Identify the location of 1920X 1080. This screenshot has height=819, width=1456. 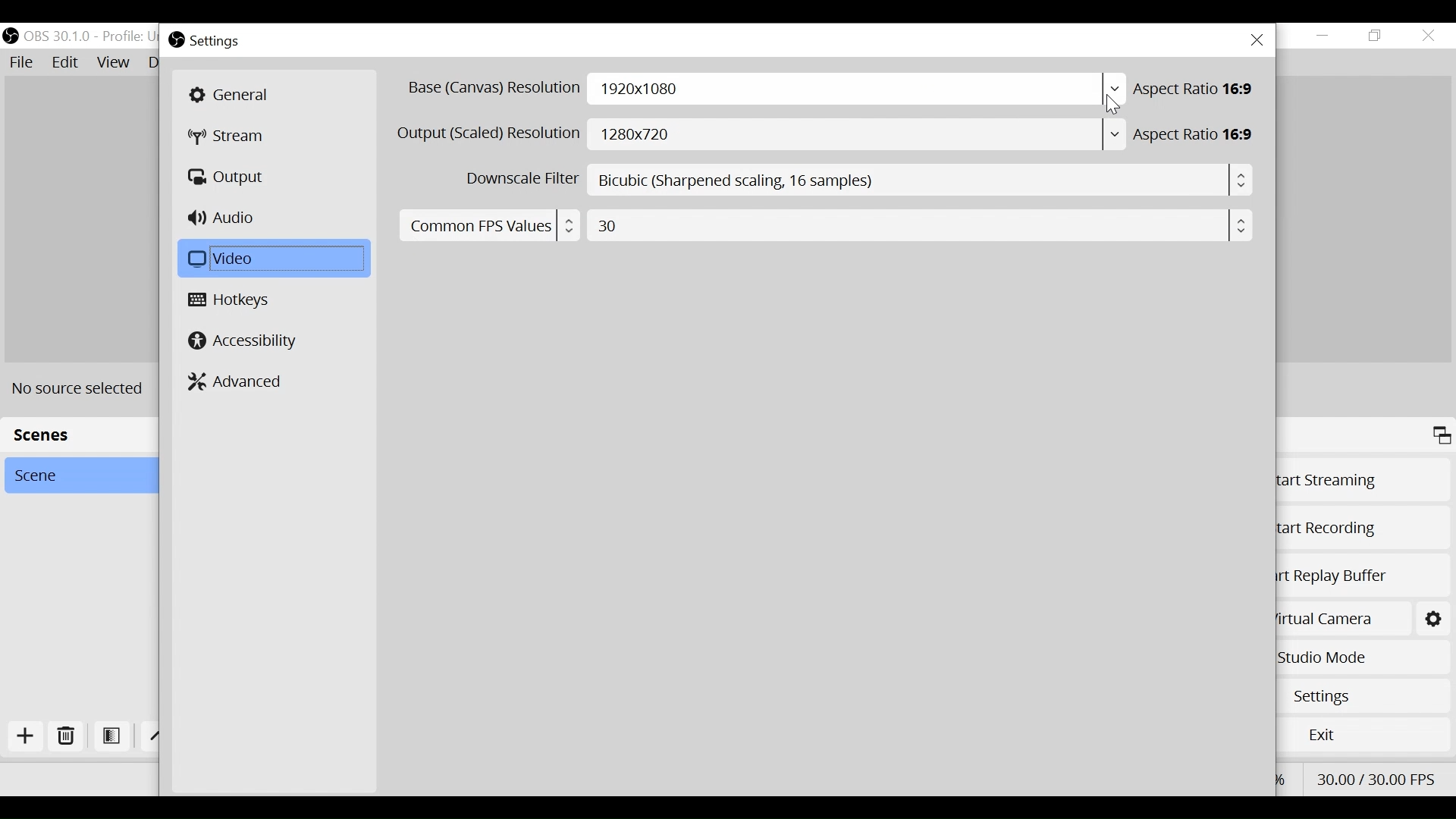
(857, 89).